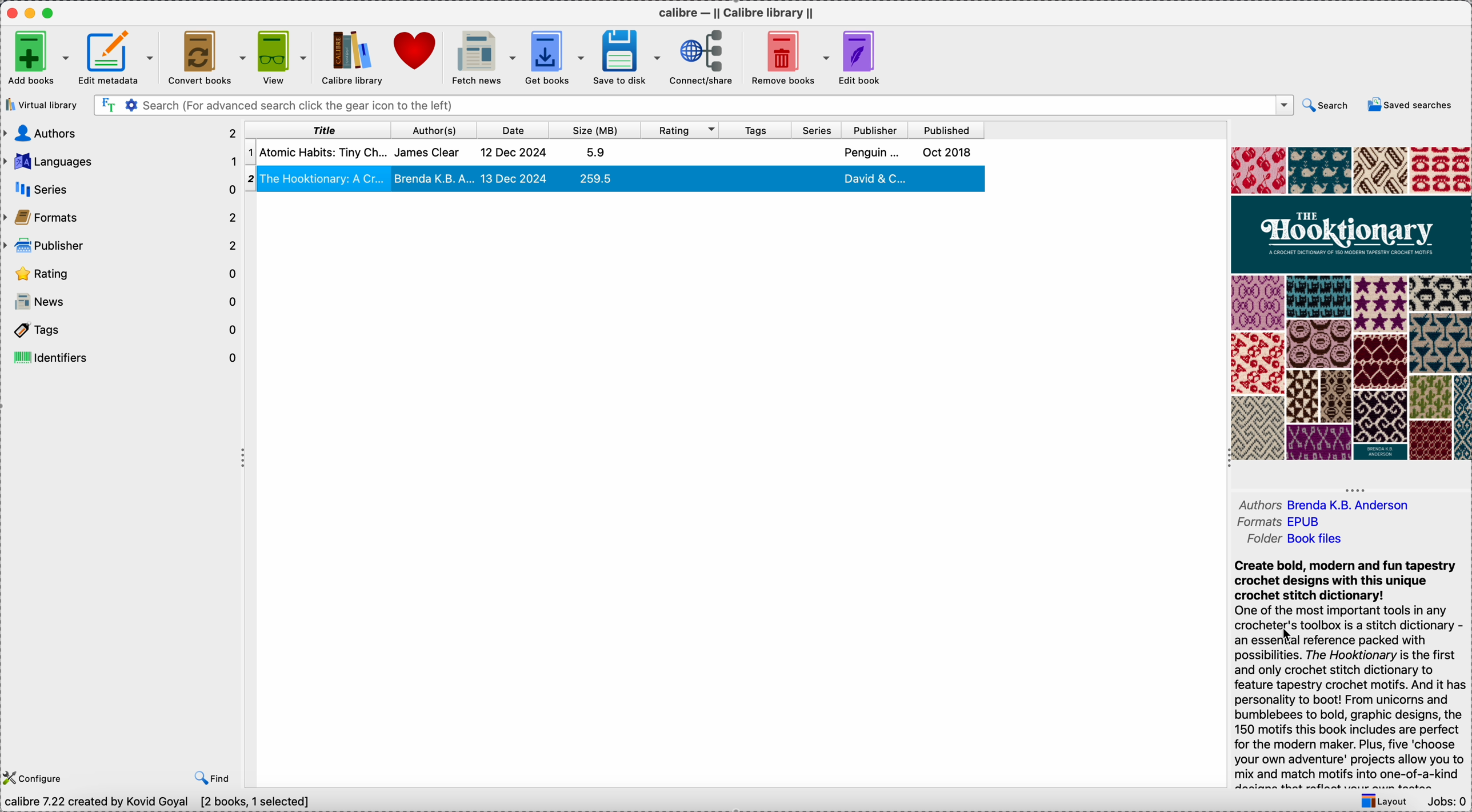  What do you see at coordinates (694, 106) in the screenshot?
I see `search bar` at bounding box center [694, 106].